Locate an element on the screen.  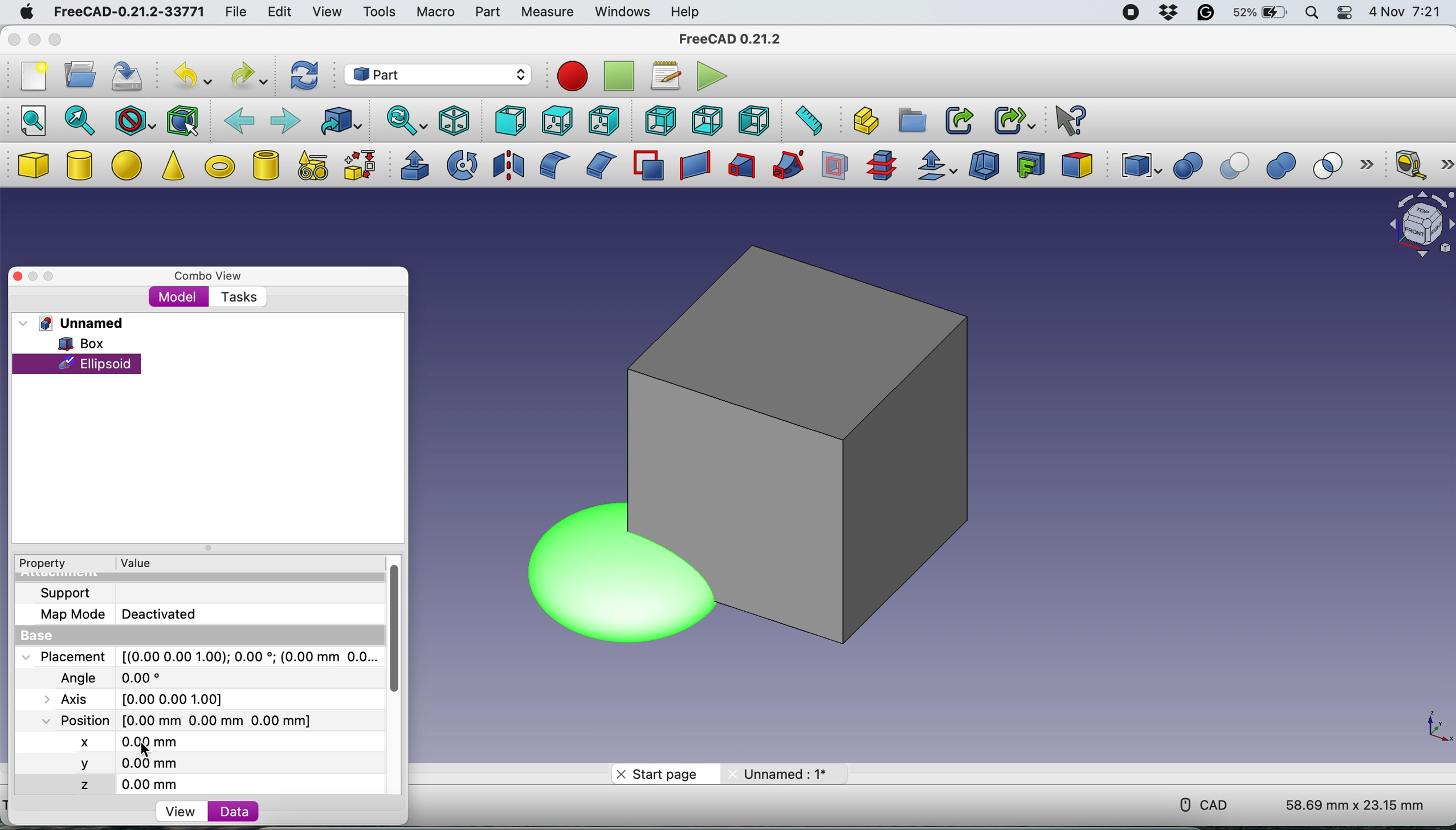
cone is located at coordinates (173, 168).